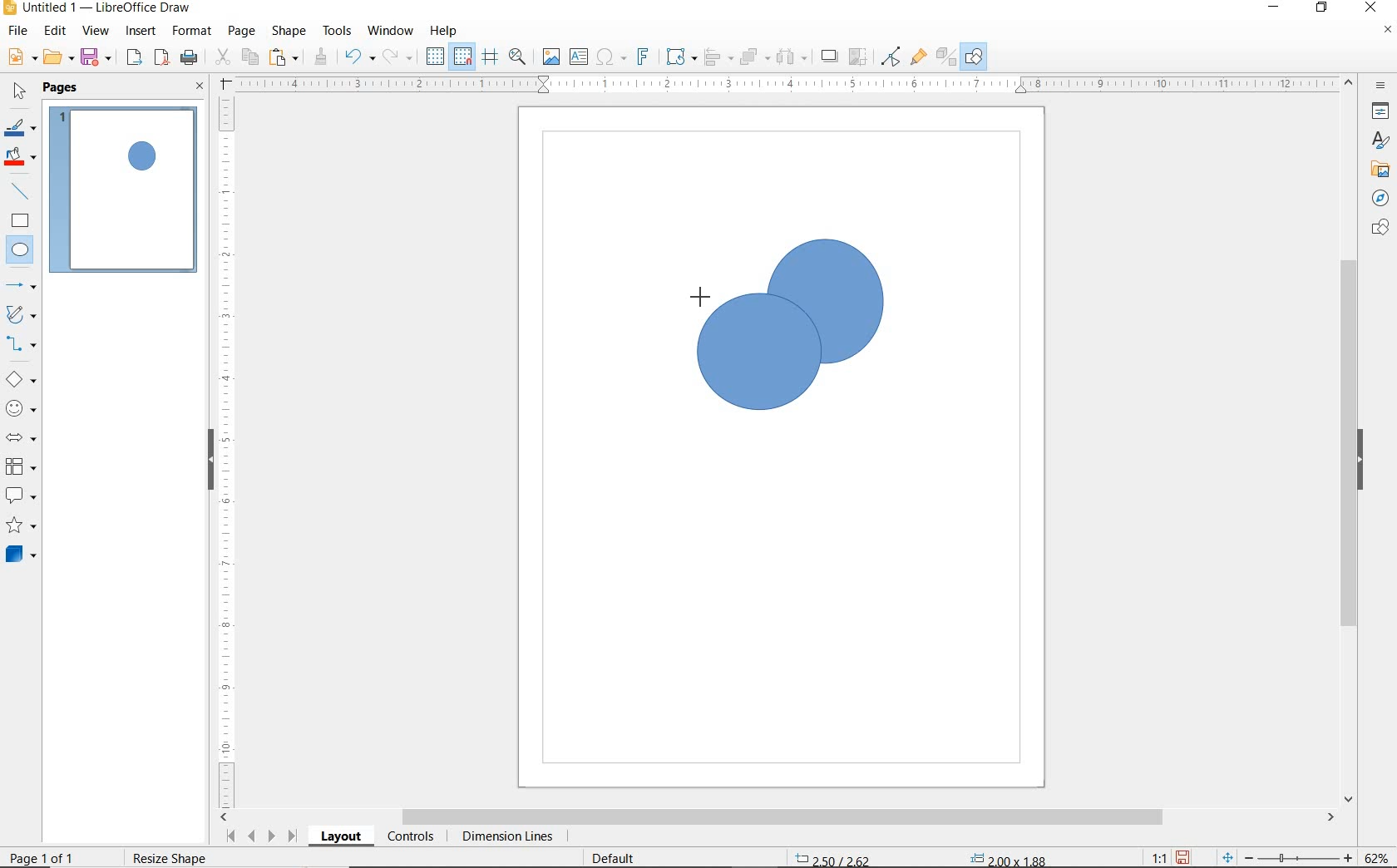  What do you see at coordinates (517, 56) in the screenshot?
I see `ZOOM & PAN` at bounding box center [517, 56].